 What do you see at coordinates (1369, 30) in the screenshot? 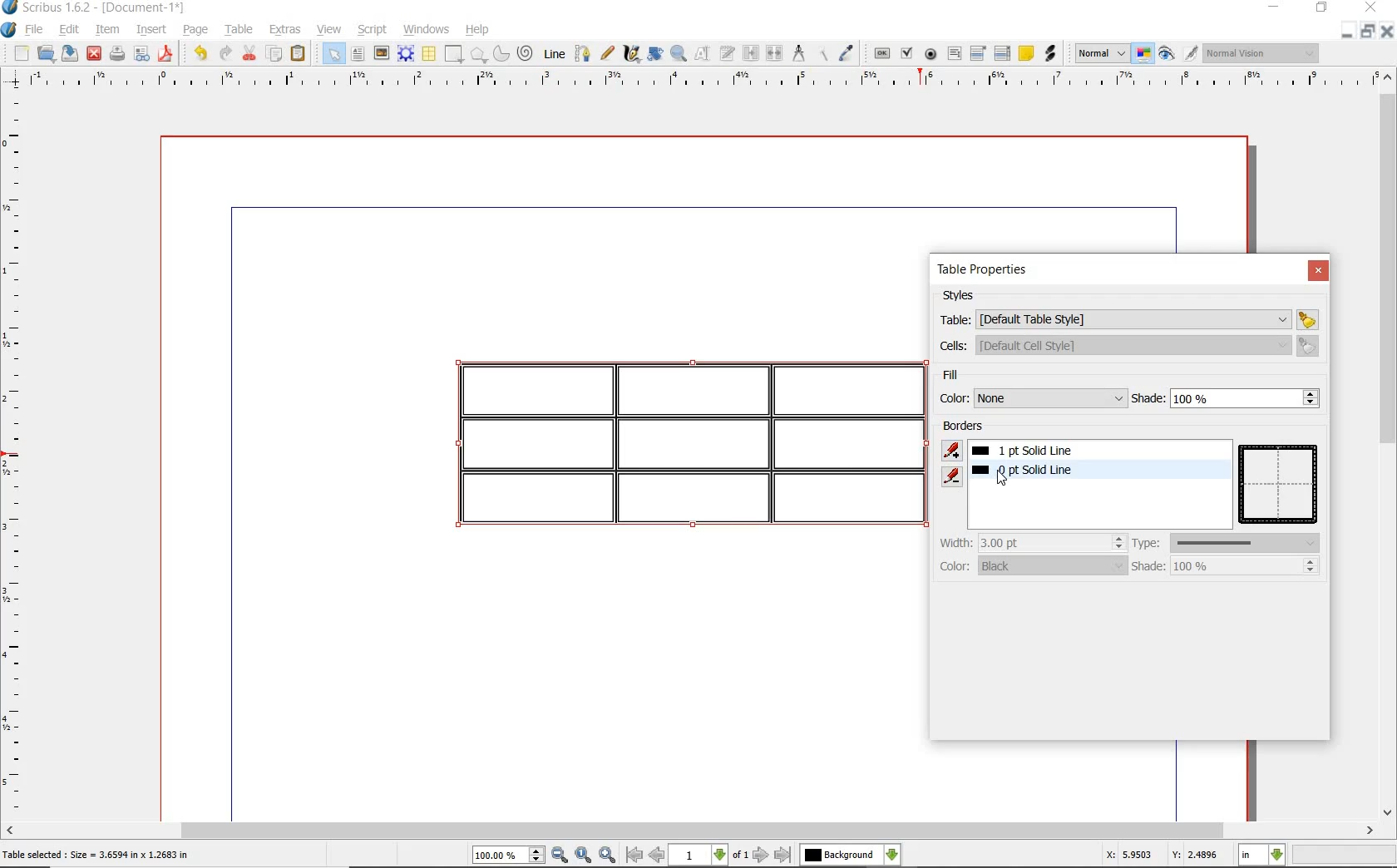
I see `RESTORE` at bounding box center [1369, 30].